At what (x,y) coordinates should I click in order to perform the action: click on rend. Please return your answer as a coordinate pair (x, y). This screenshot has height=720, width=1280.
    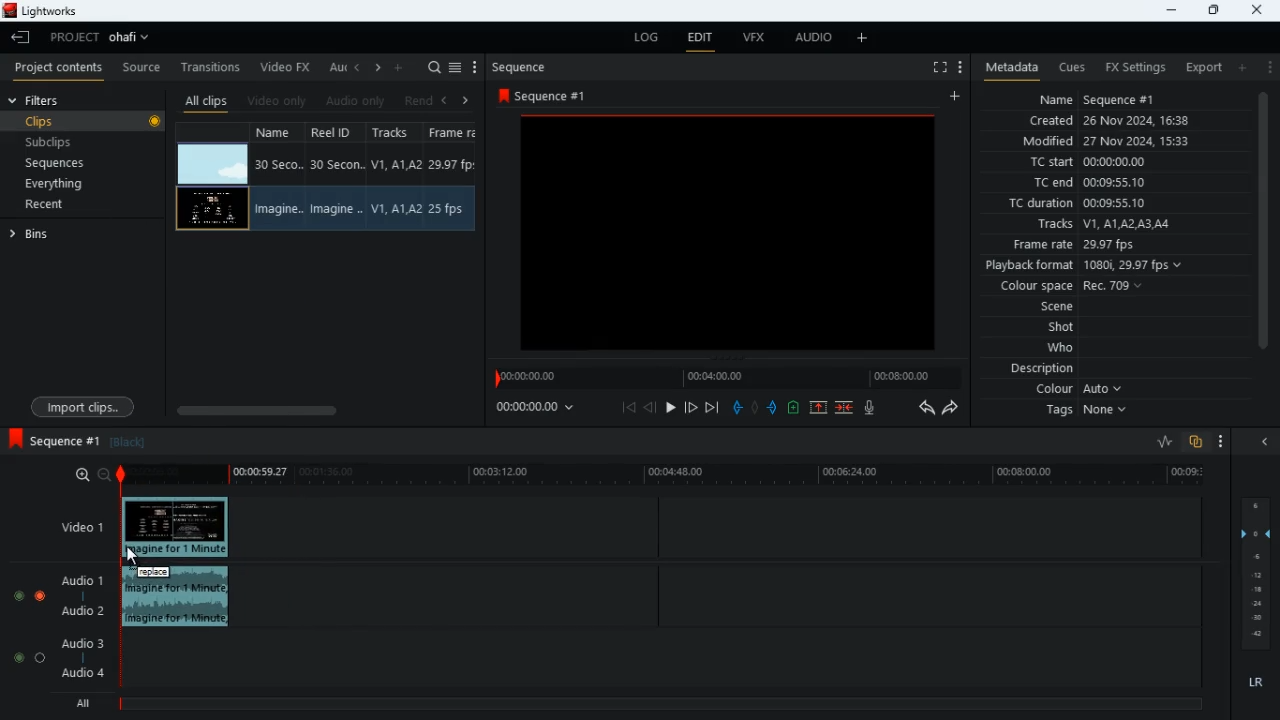
    Looking at the image, I should click on (420, 100).